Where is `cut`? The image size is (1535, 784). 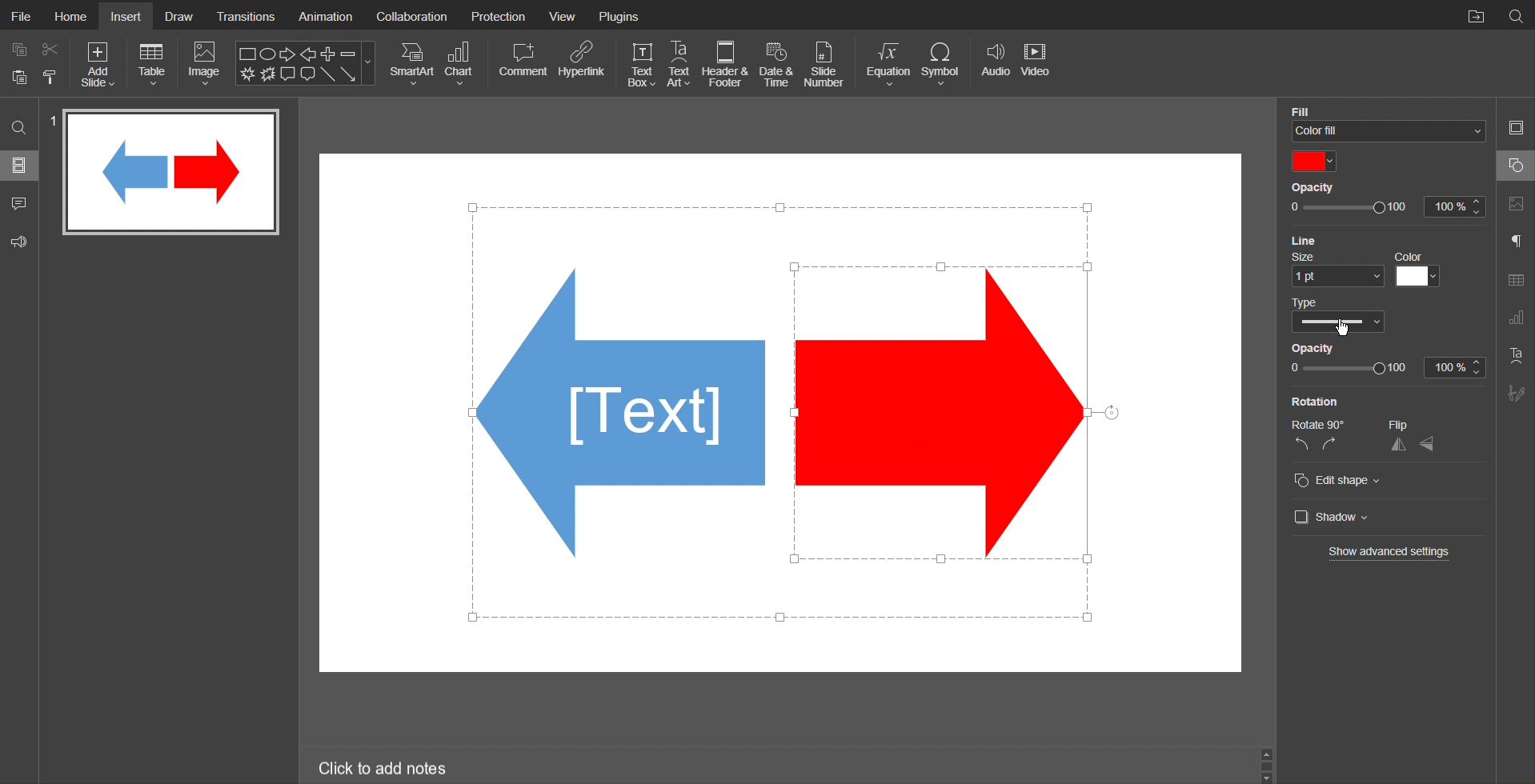
cut is located at coordinates (51, 48).